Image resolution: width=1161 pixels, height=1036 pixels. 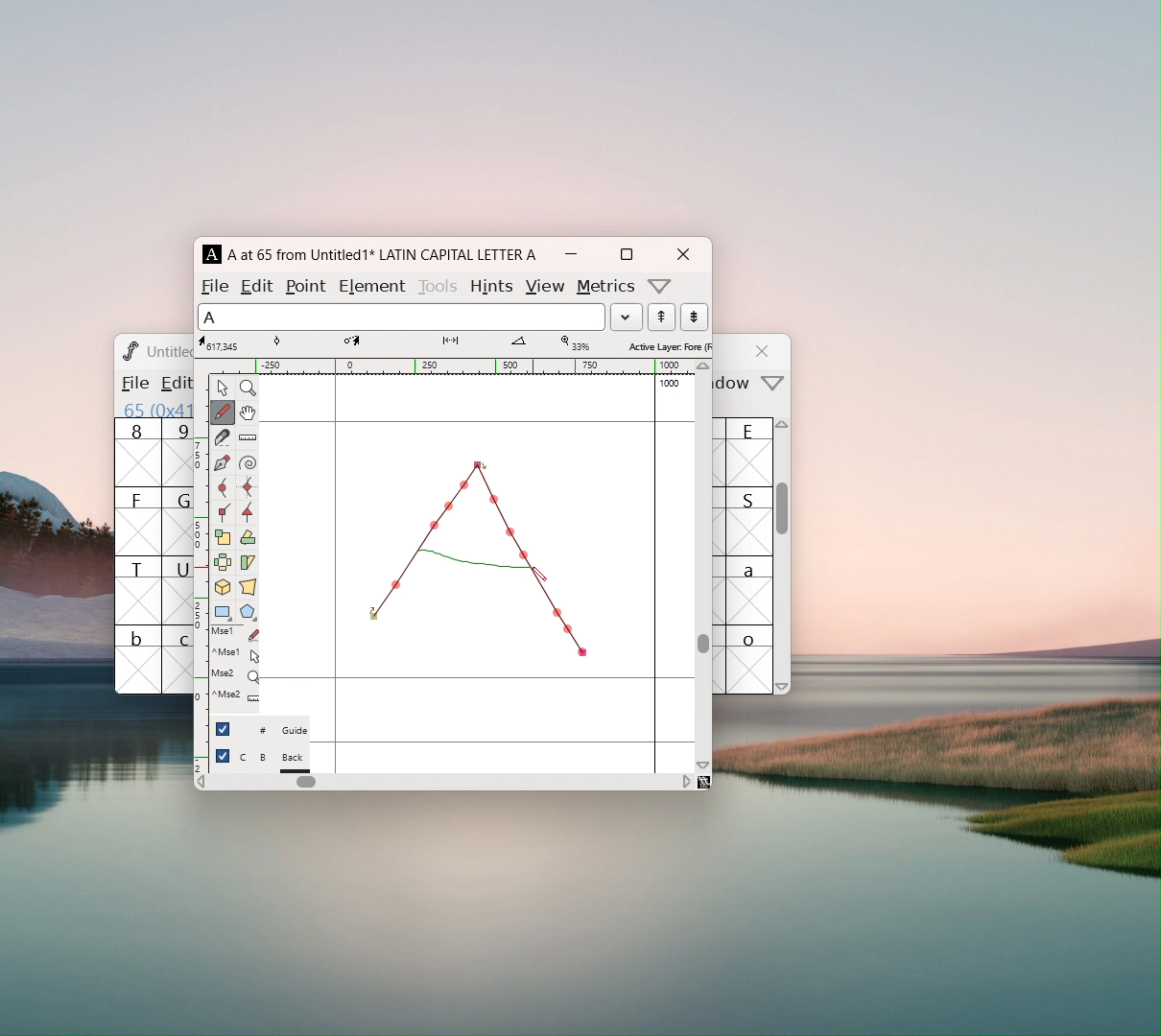 I want to click on add a curve point, so click(x=222, y=488).